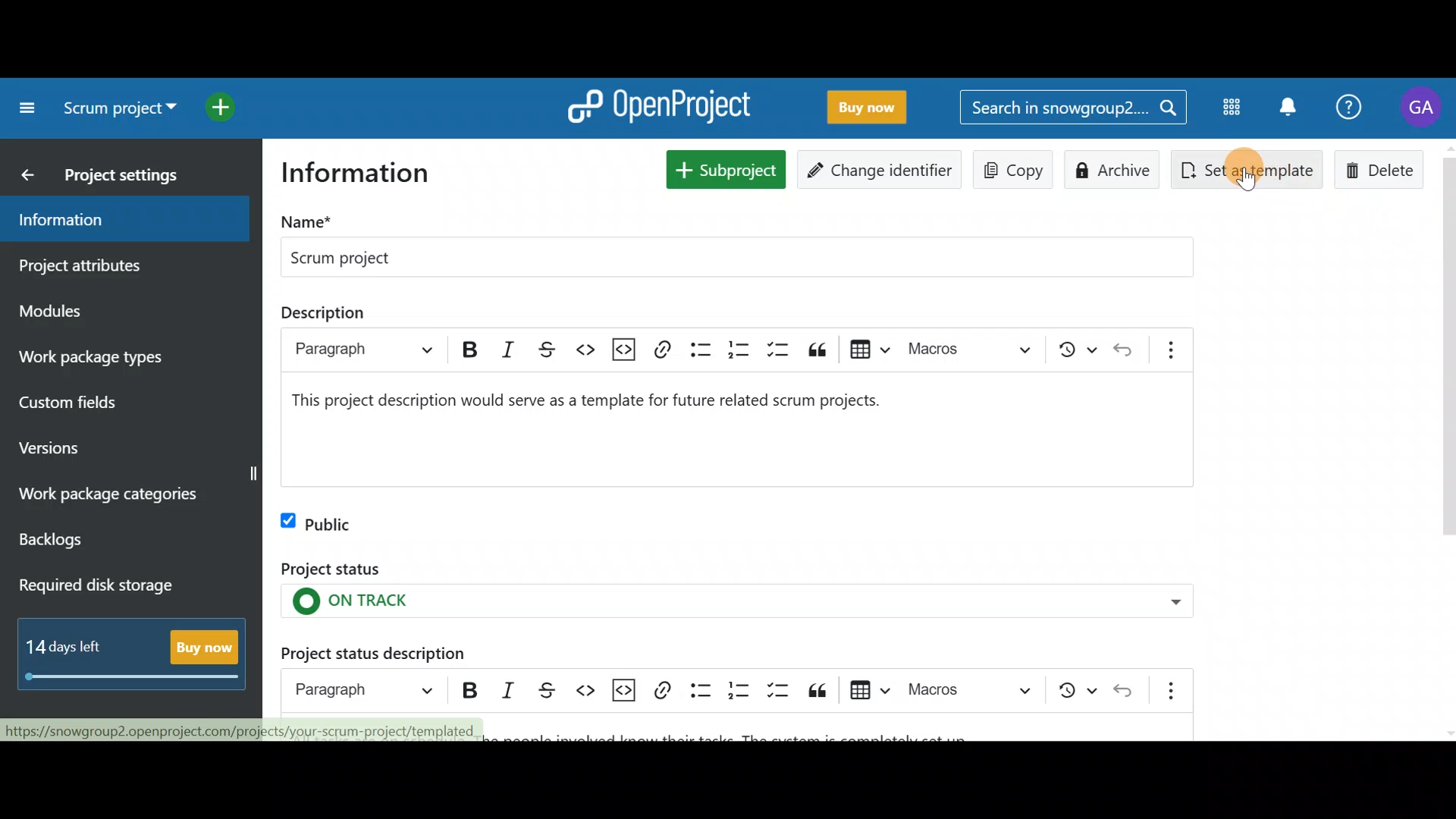 This screenshot has width=1456, height=819. I want to click on Strikethrough, so click(551, 689).